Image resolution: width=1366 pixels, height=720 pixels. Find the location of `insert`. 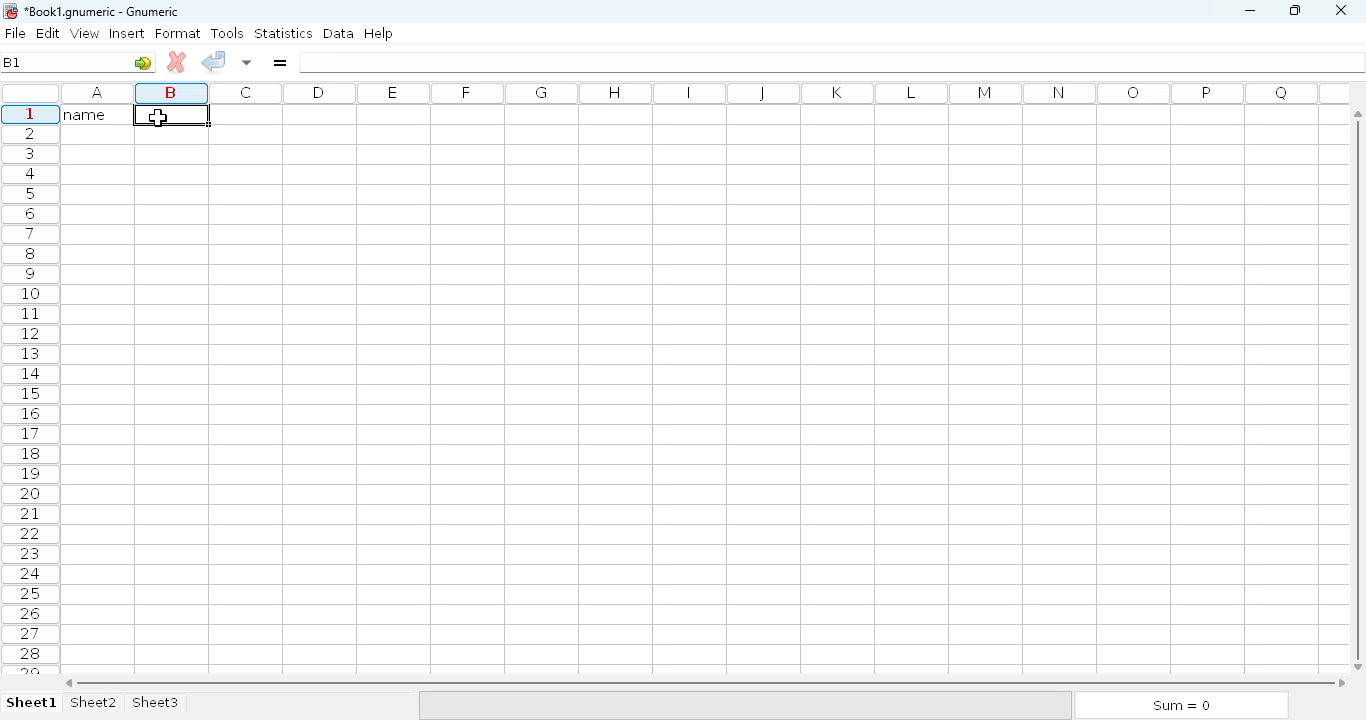

insert is located at coordinates (127, 33).